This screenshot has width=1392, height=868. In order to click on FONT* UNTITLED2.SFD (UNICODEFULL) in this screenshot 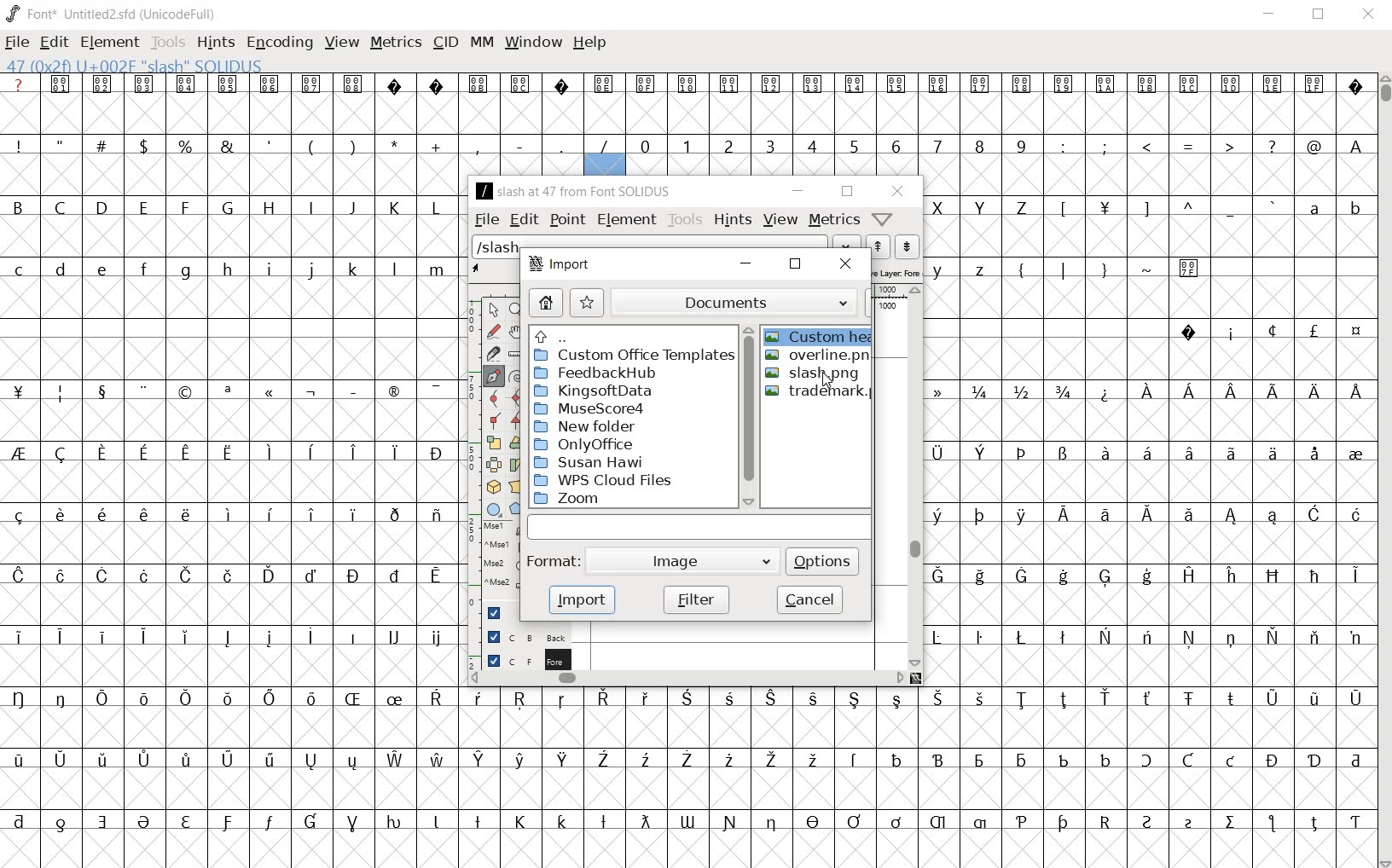, I will do `click(111, 13)`.